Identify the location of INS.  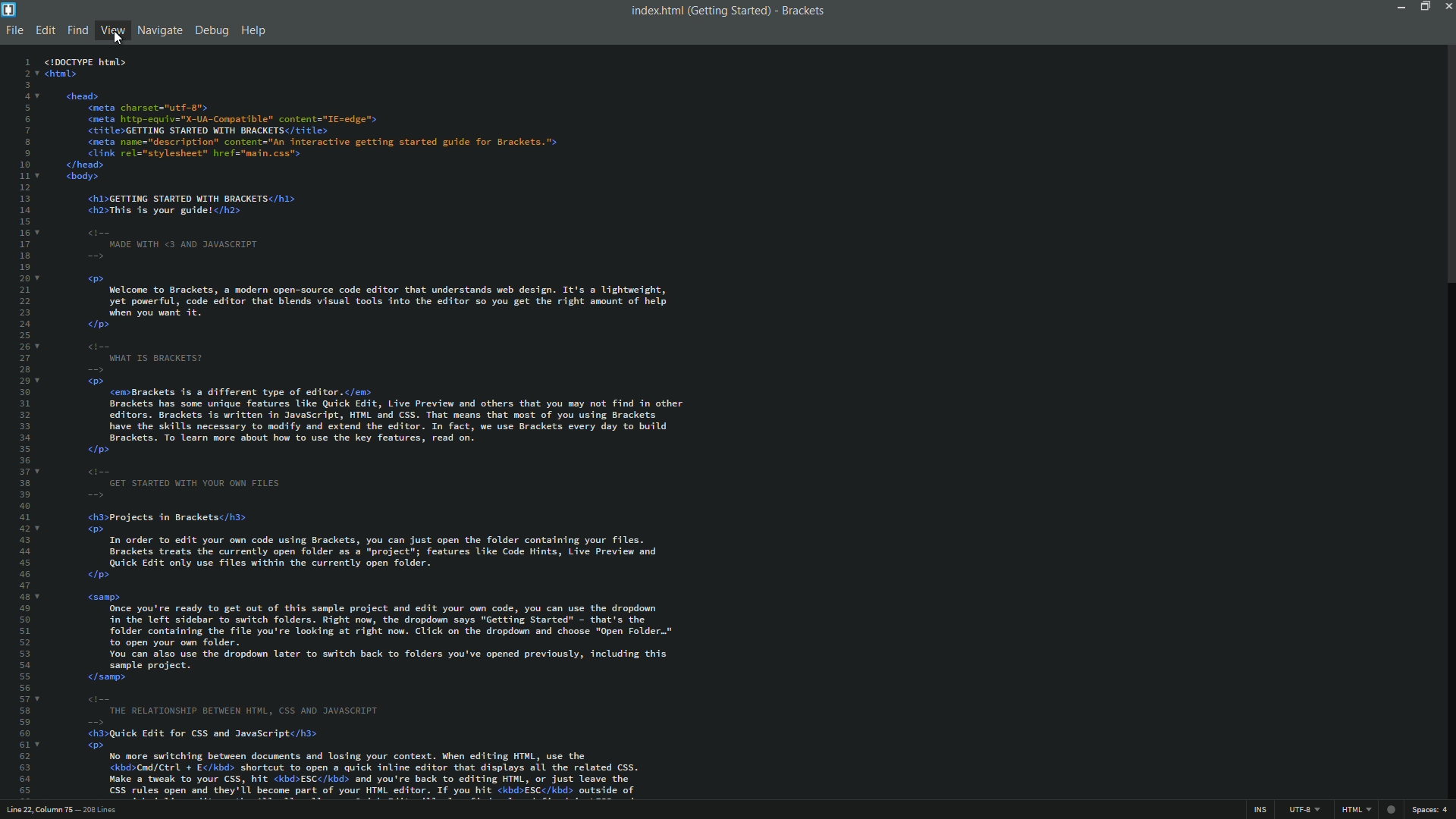
(1259, 810).